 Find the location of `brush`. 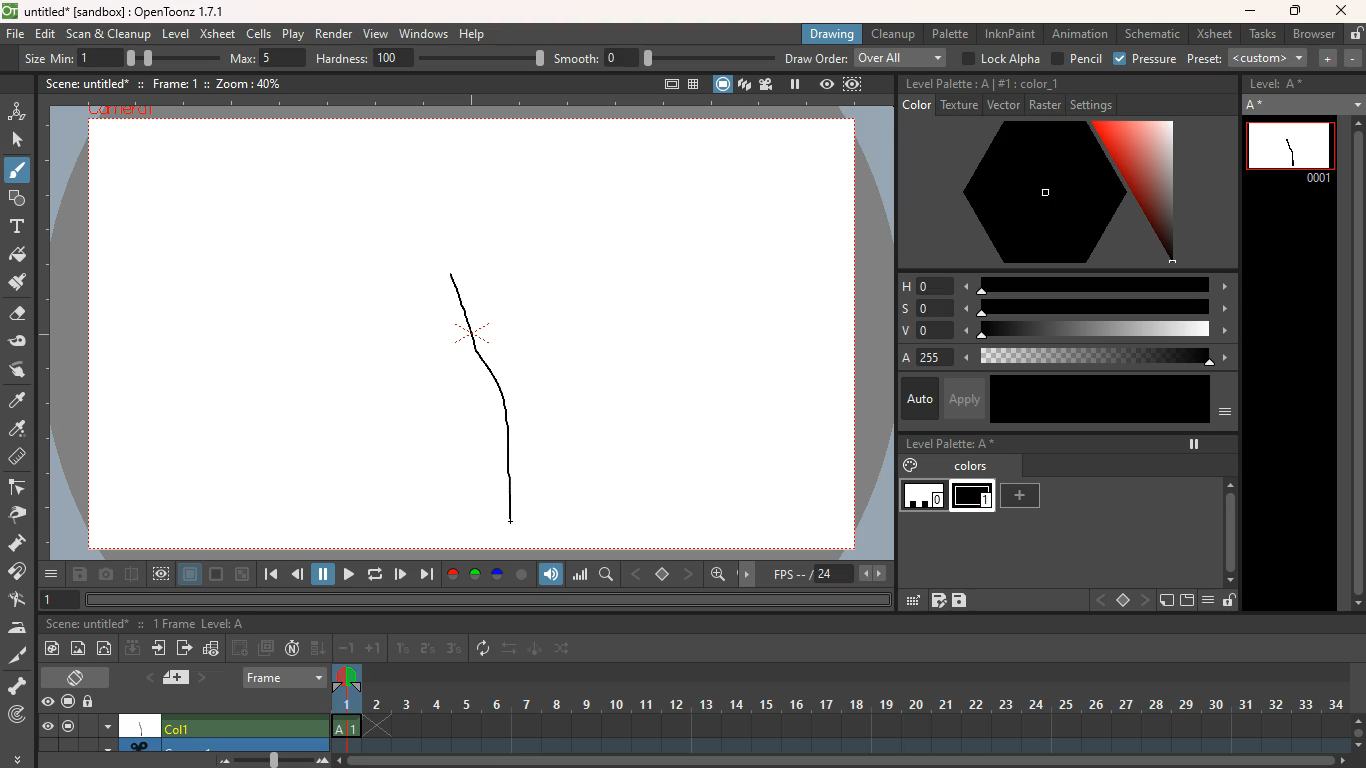

brush is located at coordinates (16, 174).